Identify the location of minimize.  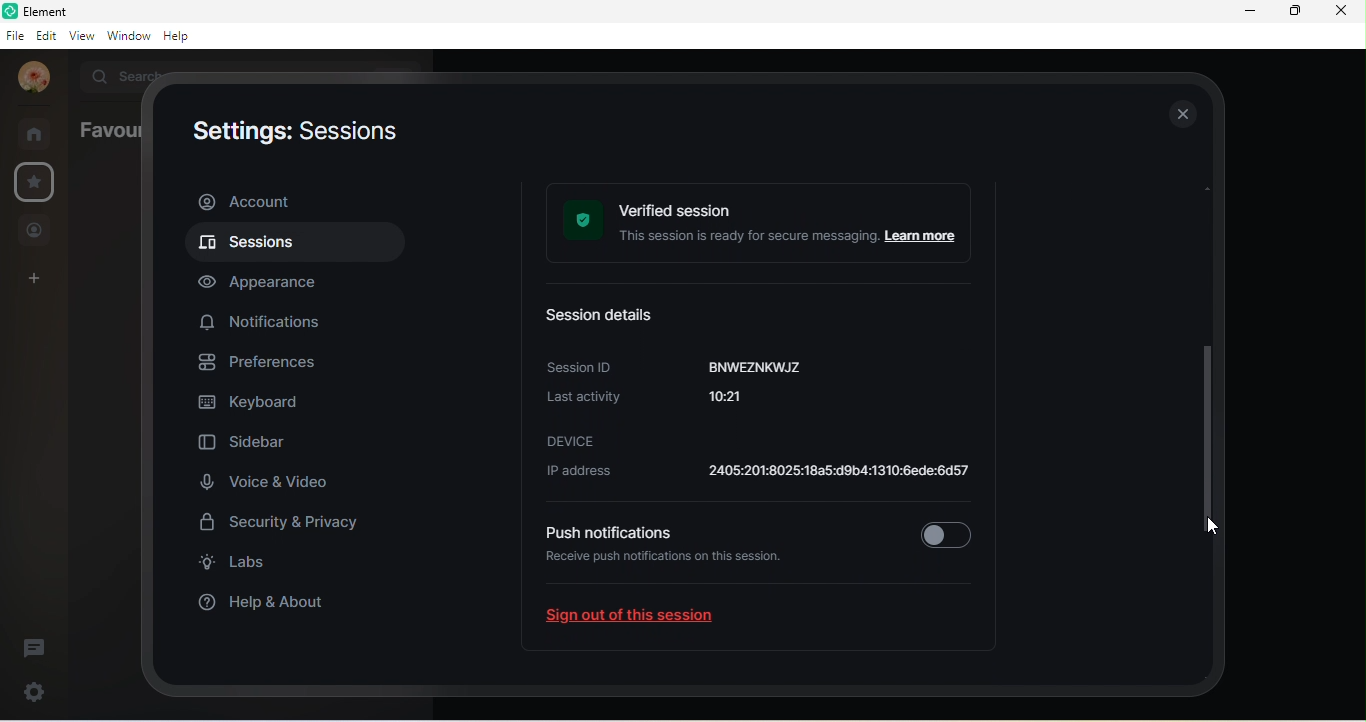
(1250, 11).